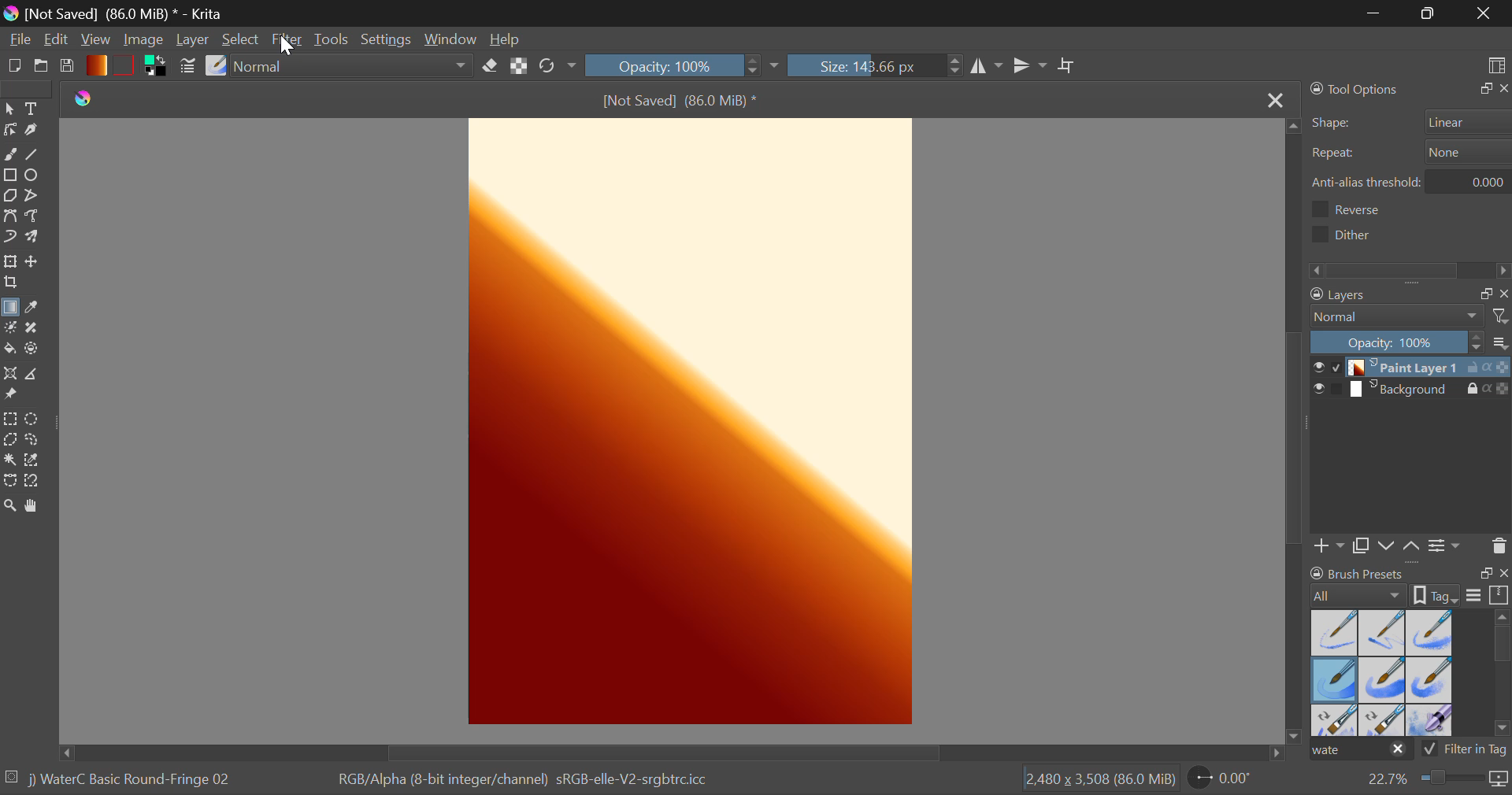  Describe the element at coordinates (68, 66) in the screenshot. I see `Save` at that location.